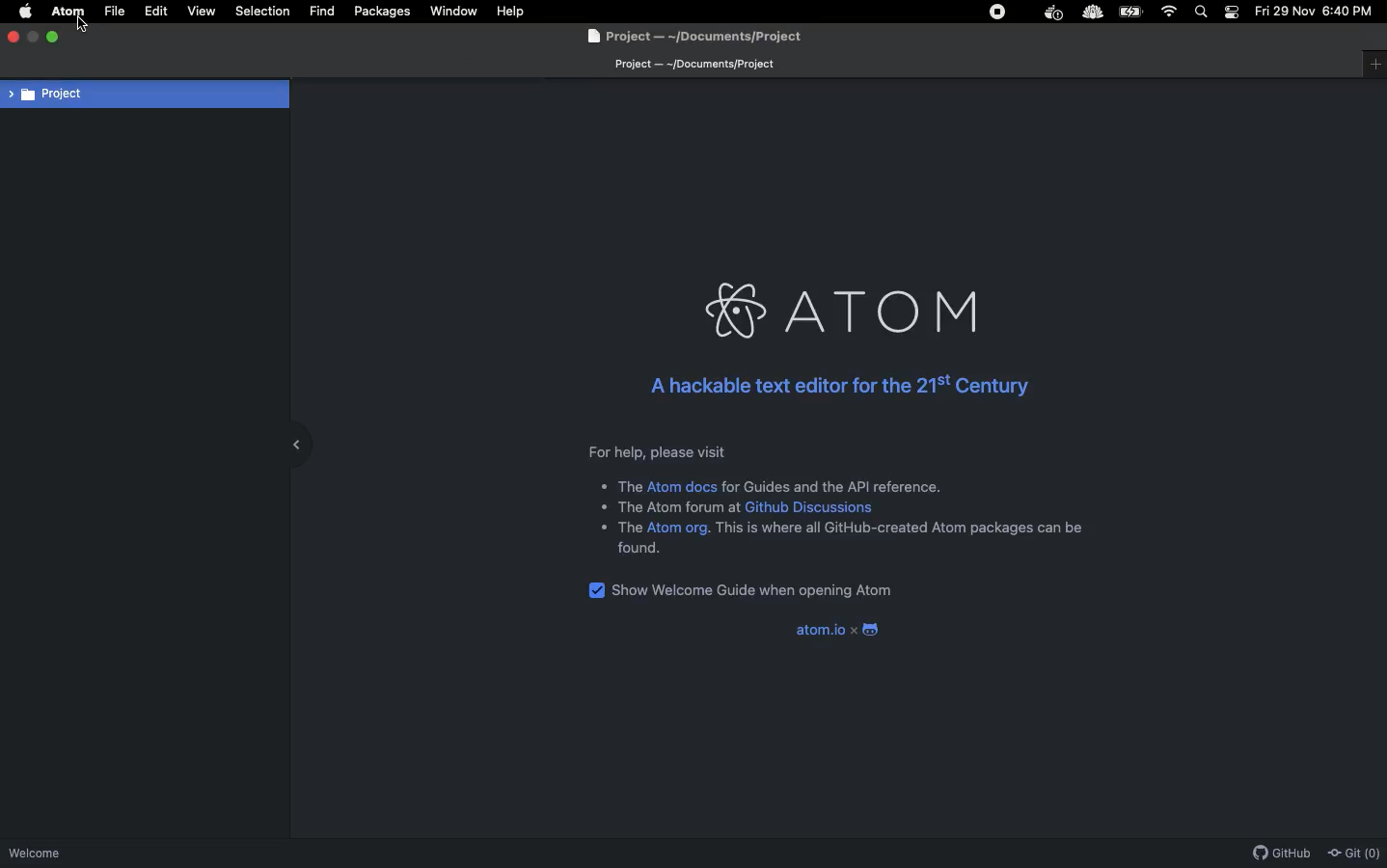 The height and width of the screenshot is (868, 1387). Describe the element at coordinates (1355, 853) in the screenshot. I see `Git` at that location.